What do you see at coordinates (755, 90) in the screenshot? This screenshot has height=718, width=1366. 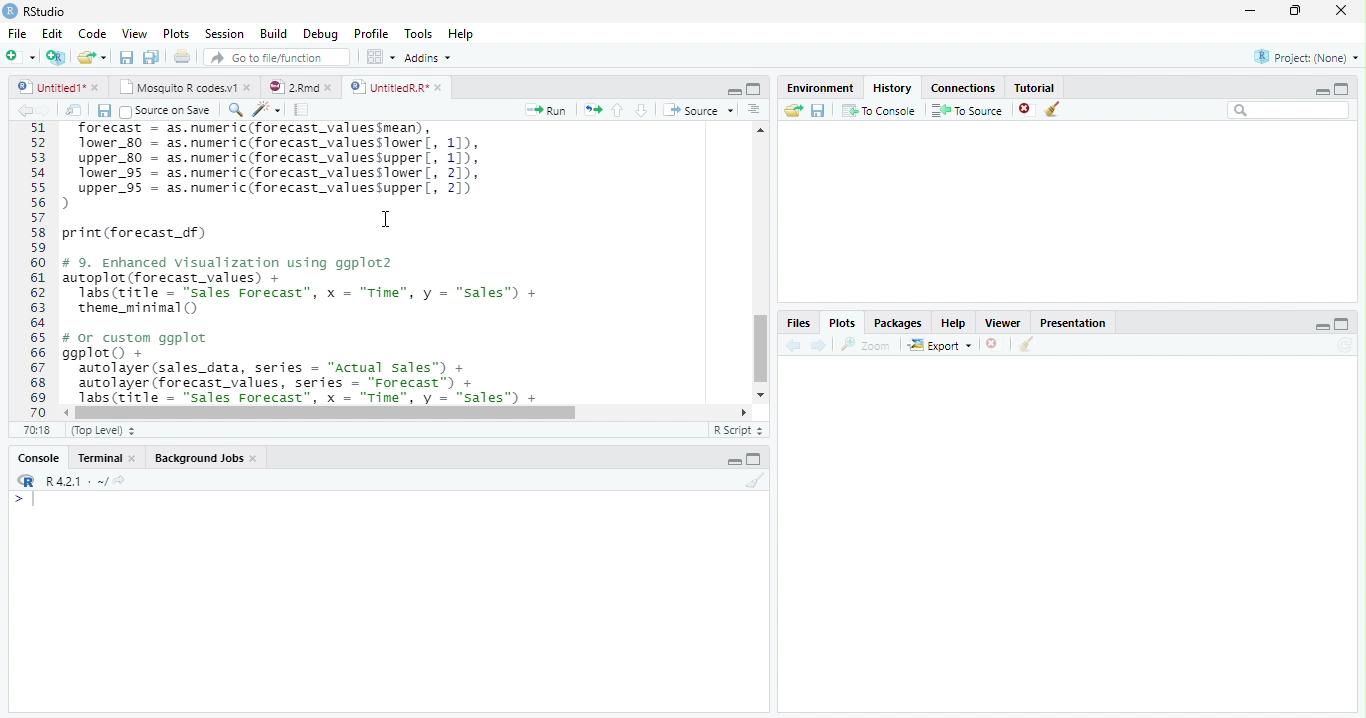 I see `Maximize` at bounding box center [755, 90].